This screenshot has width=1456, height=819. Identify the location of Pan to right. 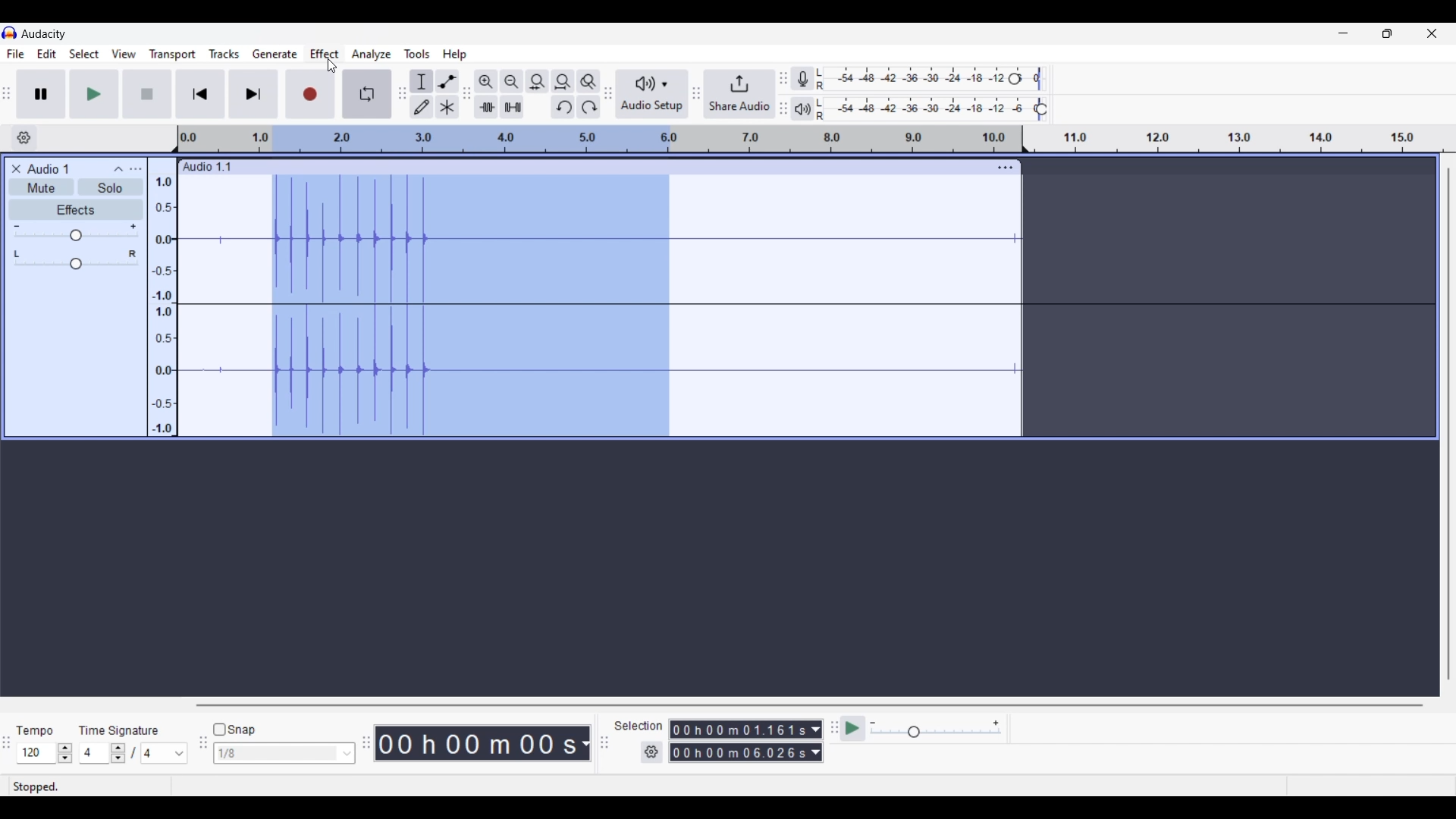
(133, 254).